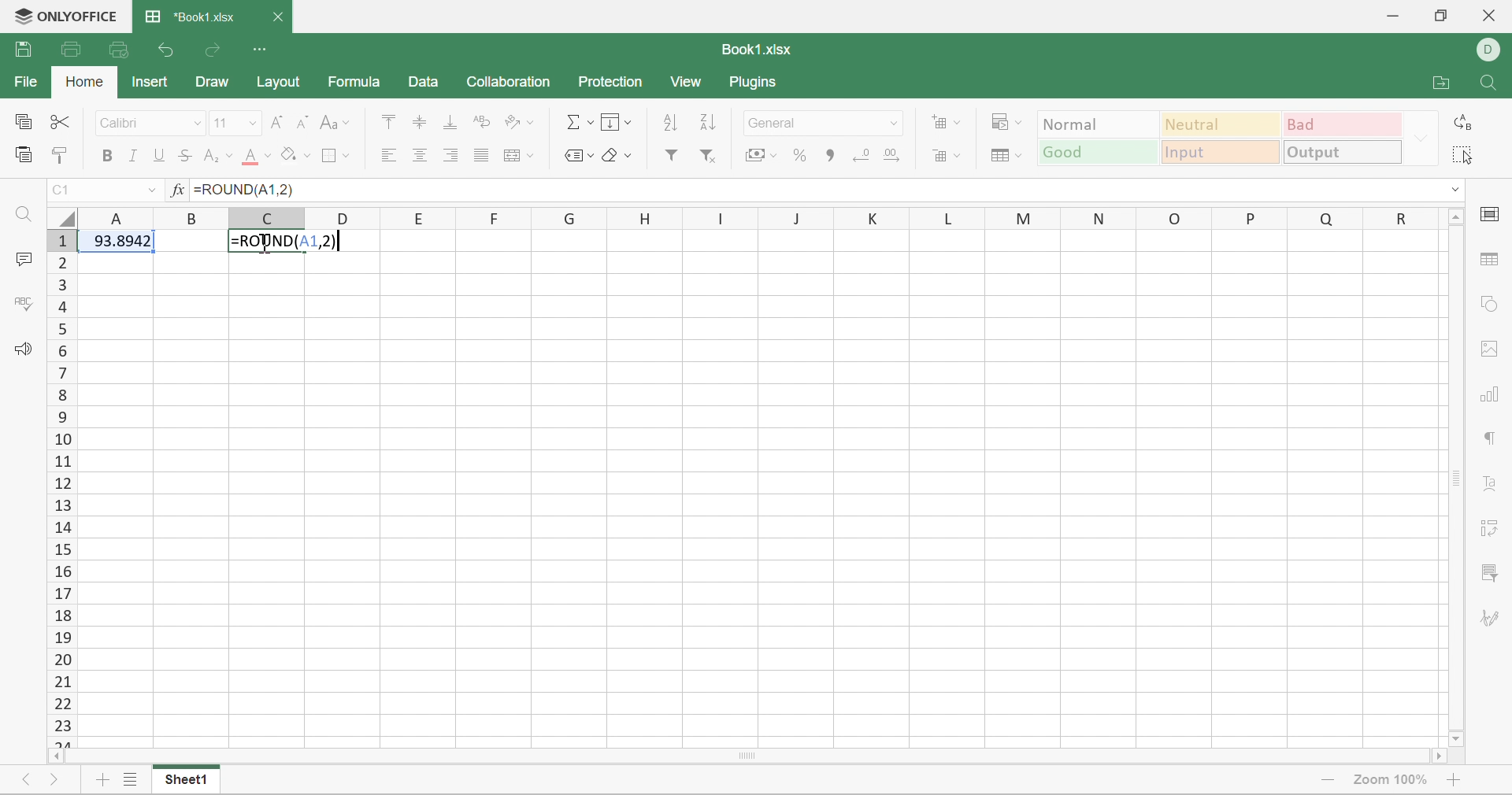 The image size is (1512, 795). I want to click on Scroll Right, so click(1434, 758).